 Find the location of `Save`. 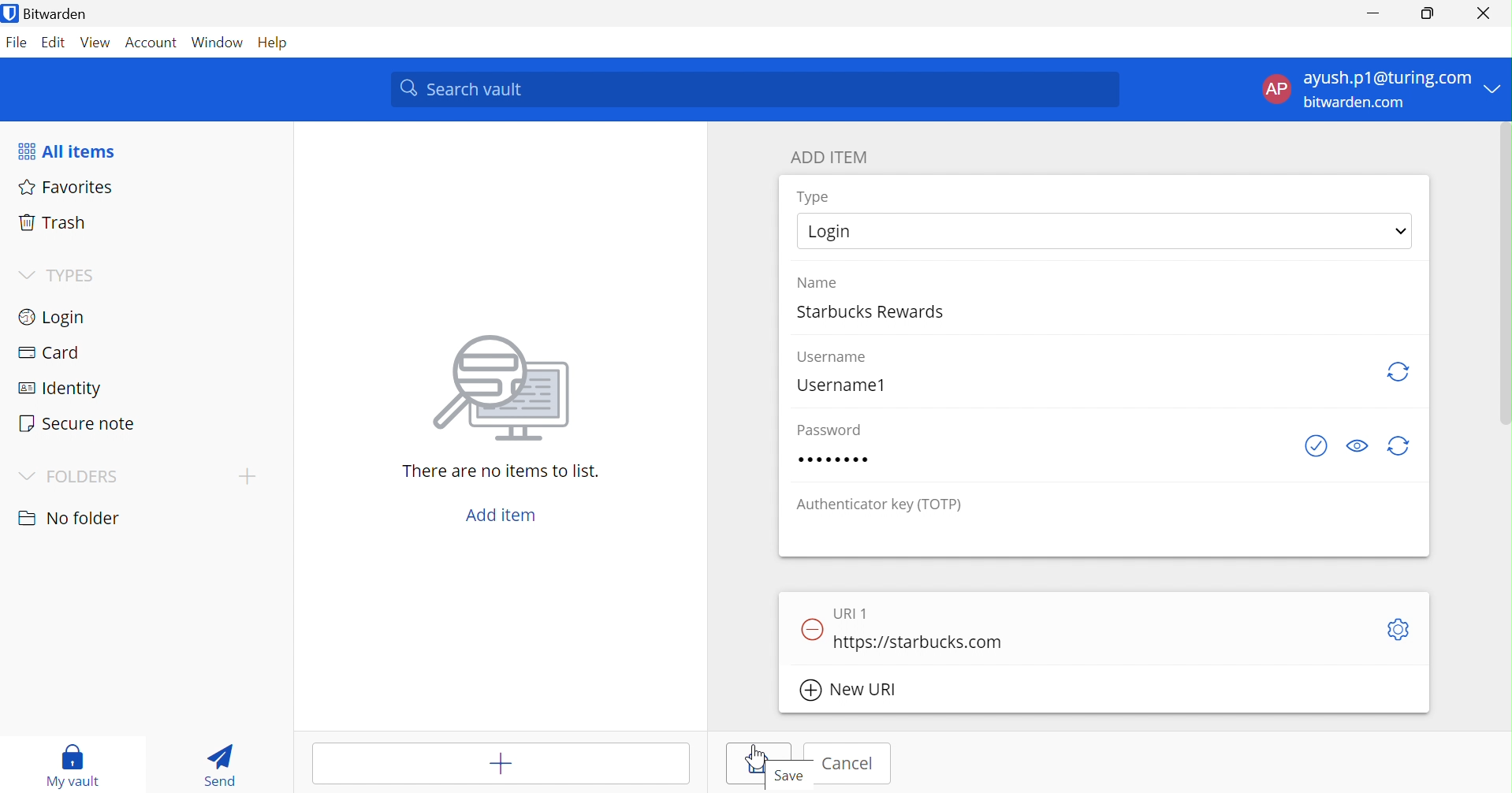

Save is located at coordinates (763, 765).